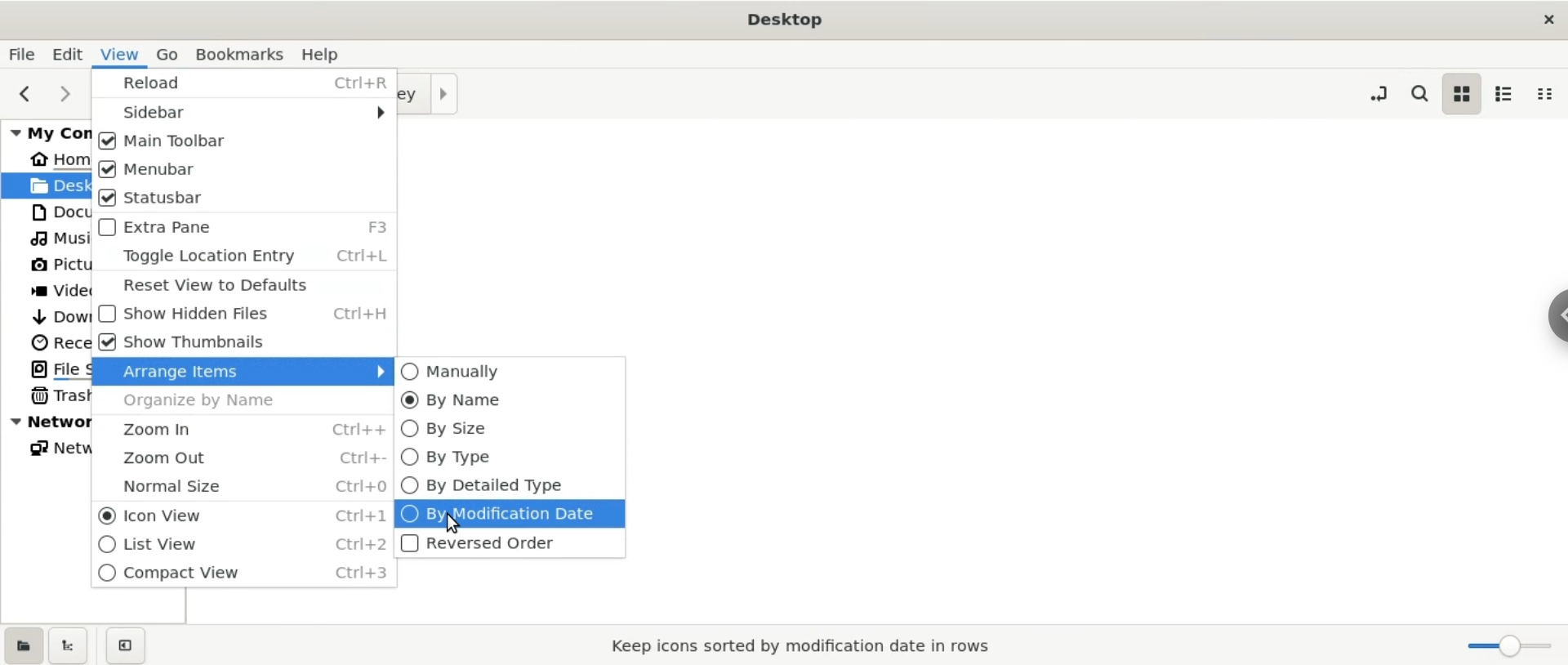  I want to click on by size, so click(511, 427).